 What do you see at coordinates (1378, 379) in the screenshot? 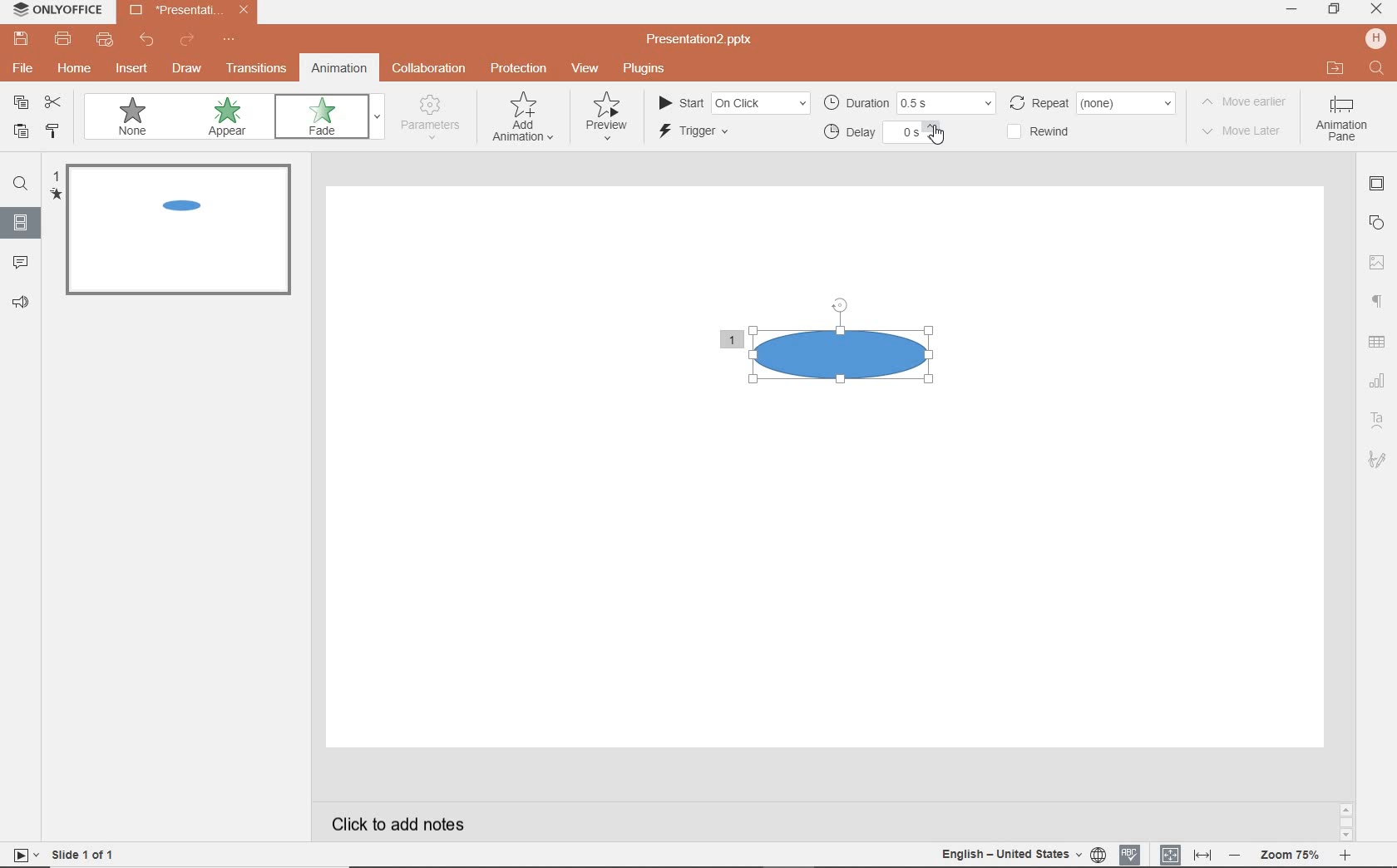
I see `chat settings` at bounding box center [1378, 379].